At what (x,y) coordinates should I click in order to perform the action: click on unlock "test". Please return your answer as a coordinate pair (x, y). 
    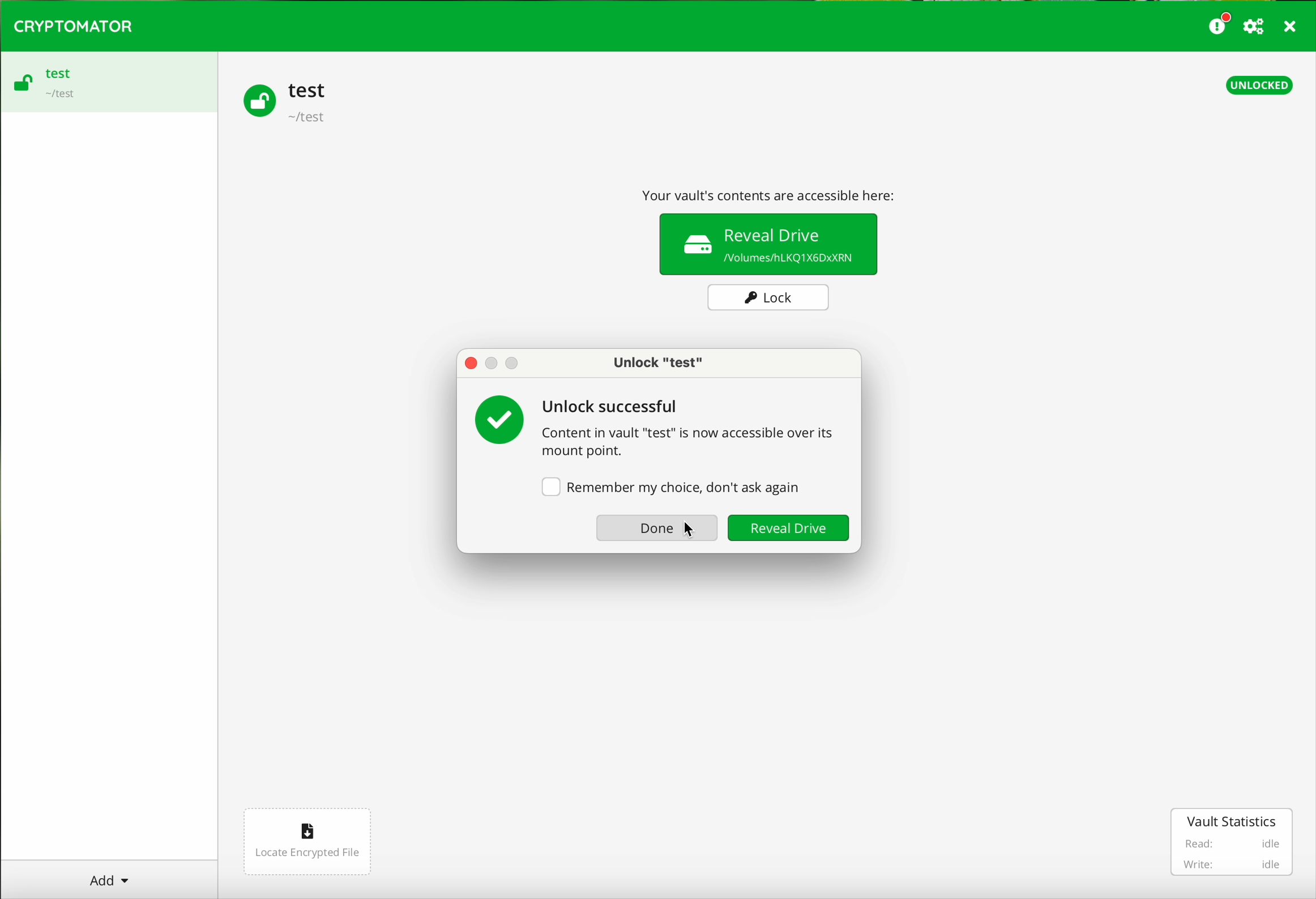
    Looking at the image, I should click on (654, 365).